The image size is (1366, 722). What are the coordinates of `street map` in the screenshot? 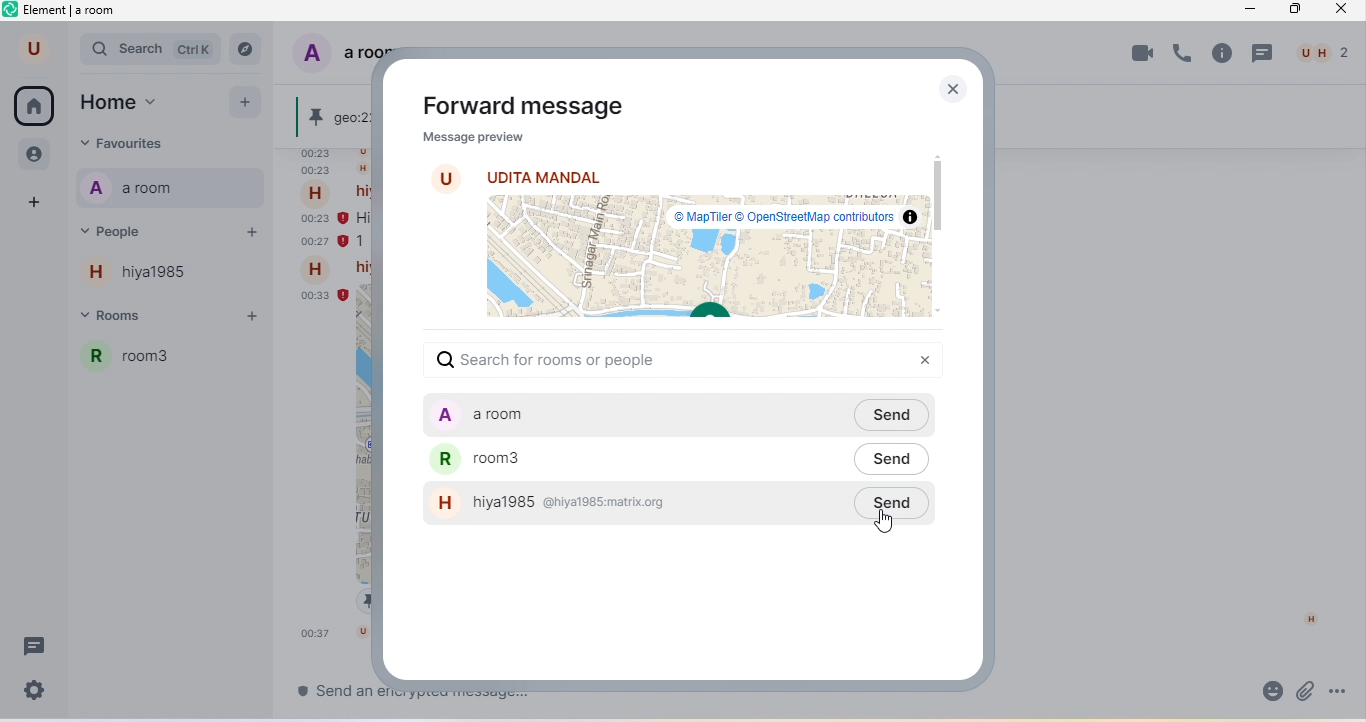 It's located at (702, 259).